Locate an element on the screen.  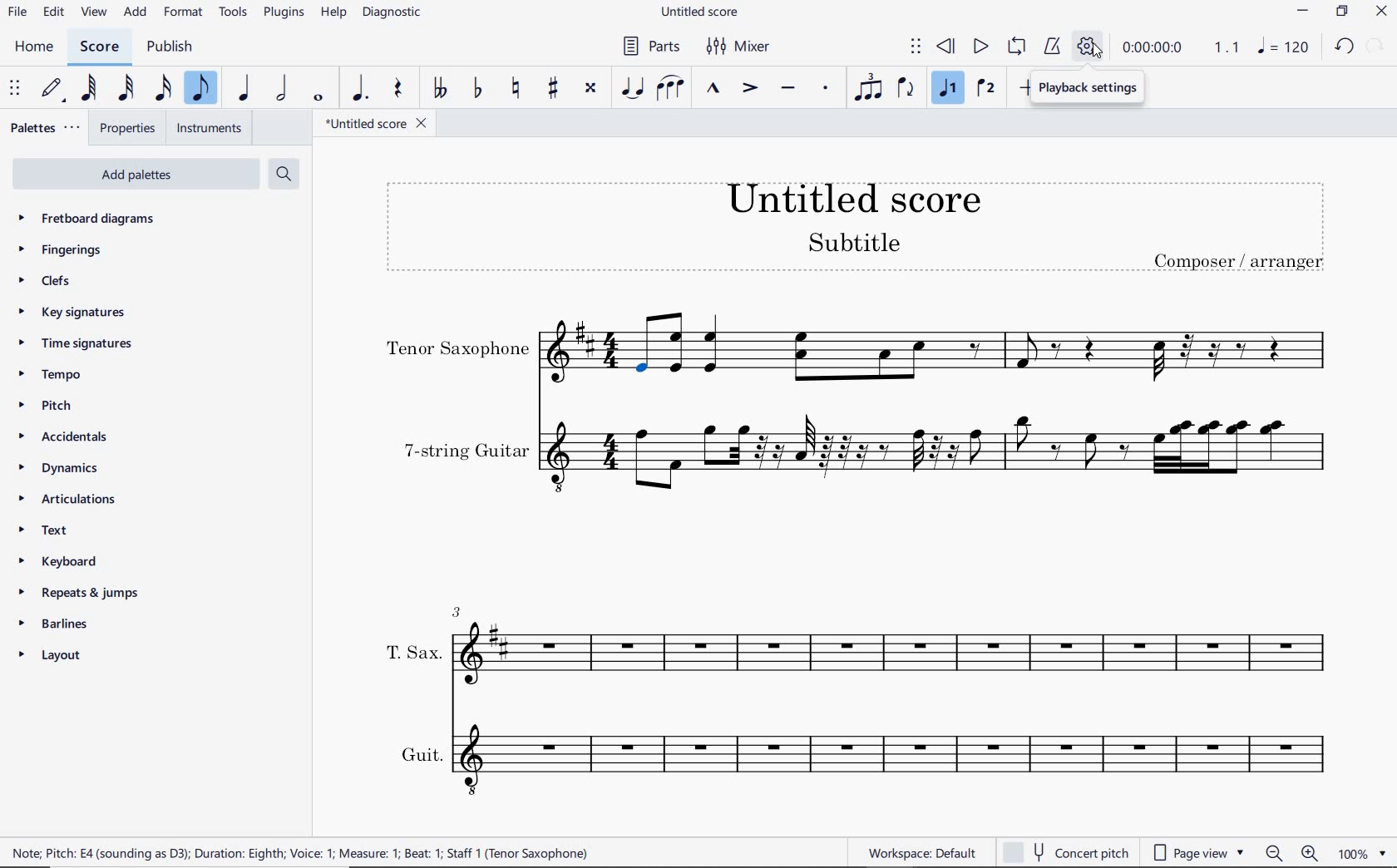
SELECT TO MOVE is located at coordinates (916, 45).